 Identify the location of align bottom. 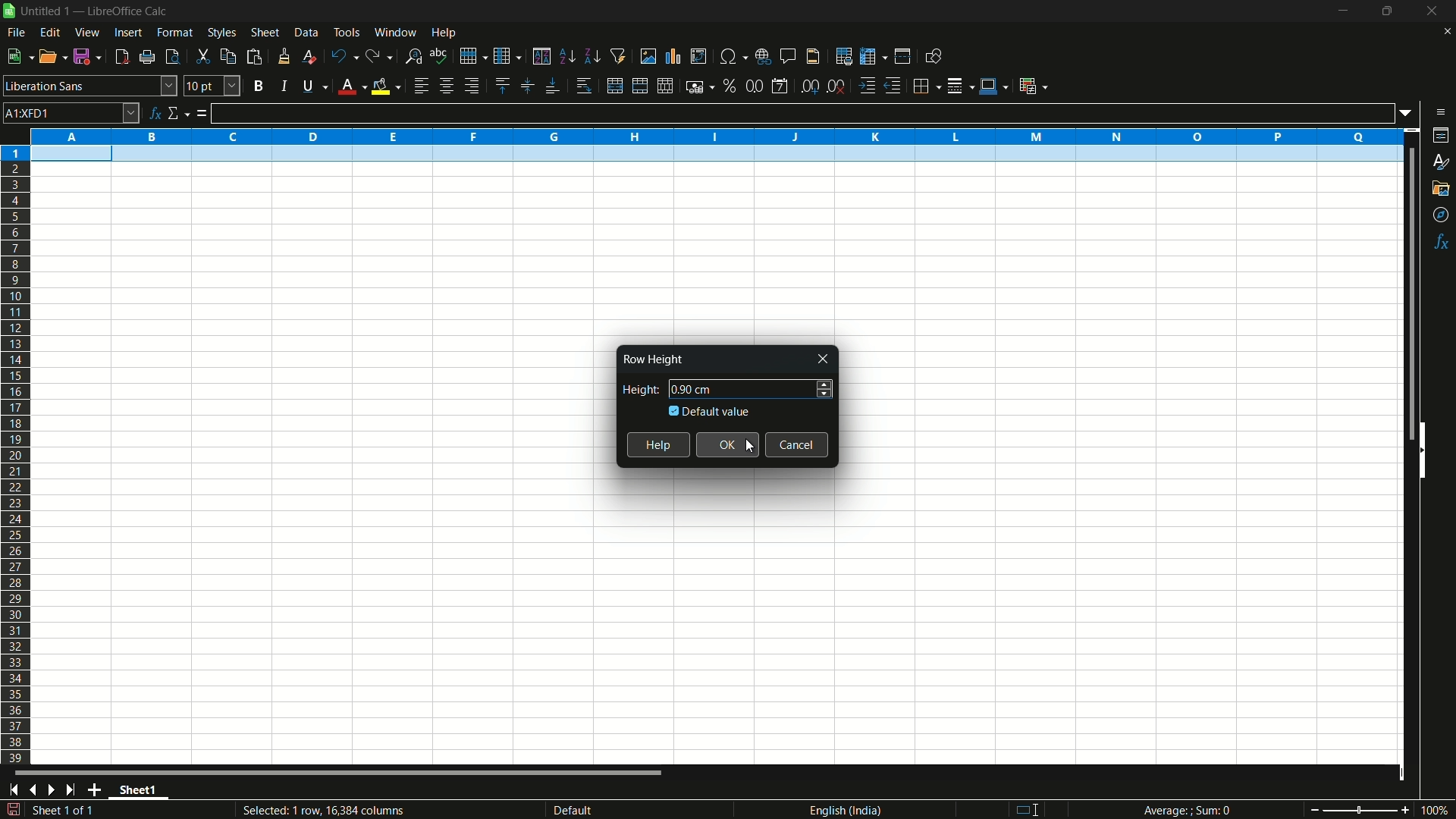
(553, 87).